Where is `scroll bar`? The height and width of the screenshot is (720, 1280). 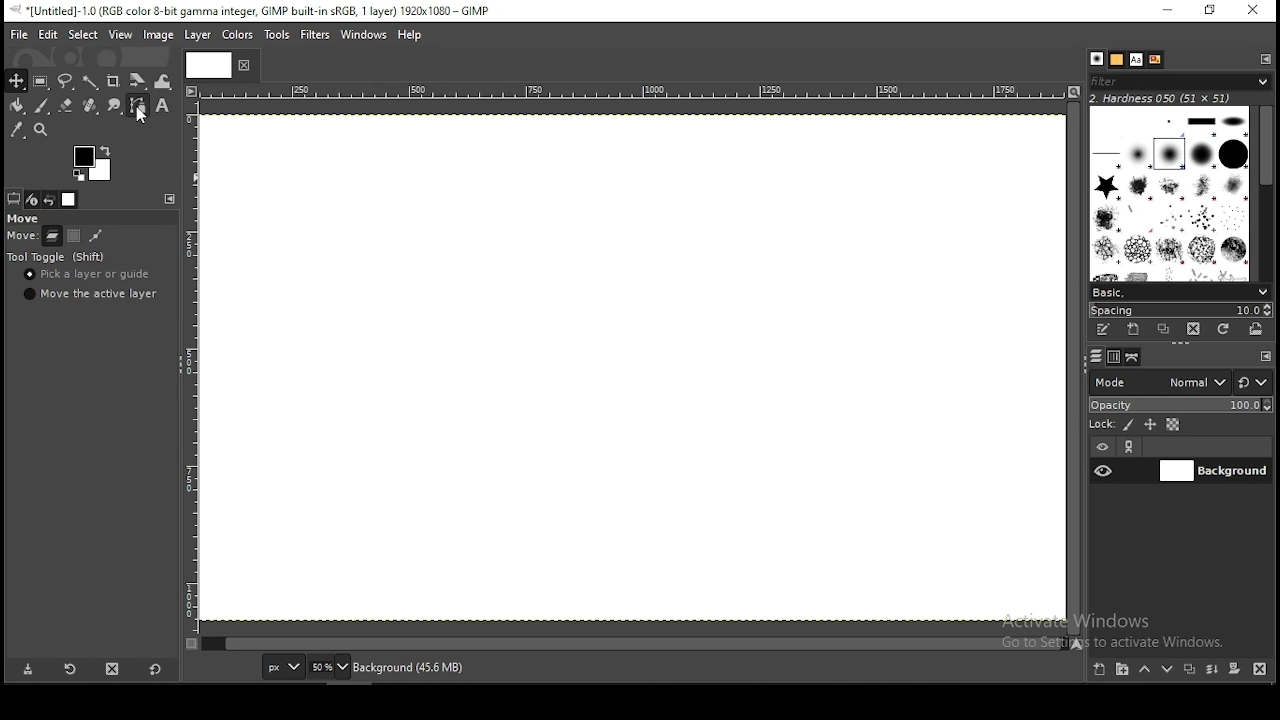
scroll bar is located at coordinates (1073, 368).